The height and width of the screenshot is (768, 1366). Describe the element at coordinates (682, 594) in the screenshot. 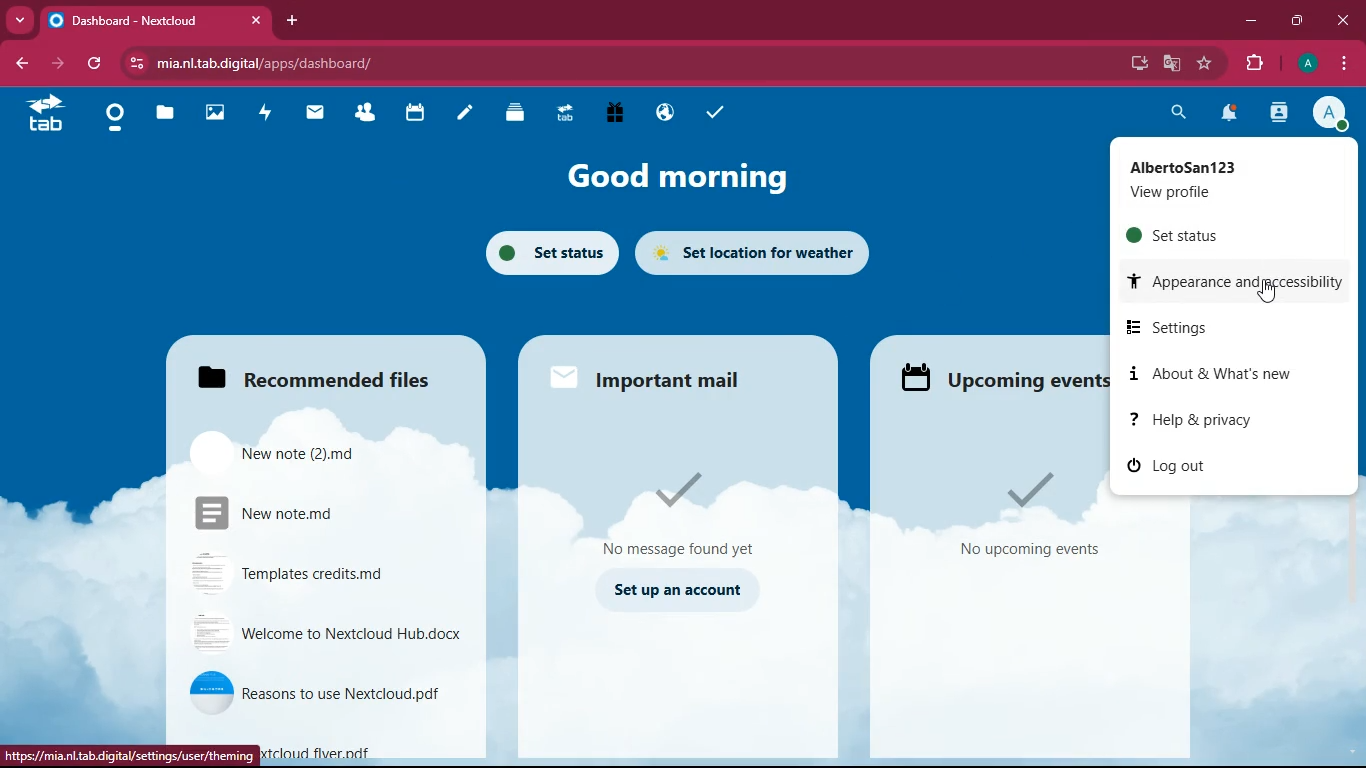

I see `set up` at that location.